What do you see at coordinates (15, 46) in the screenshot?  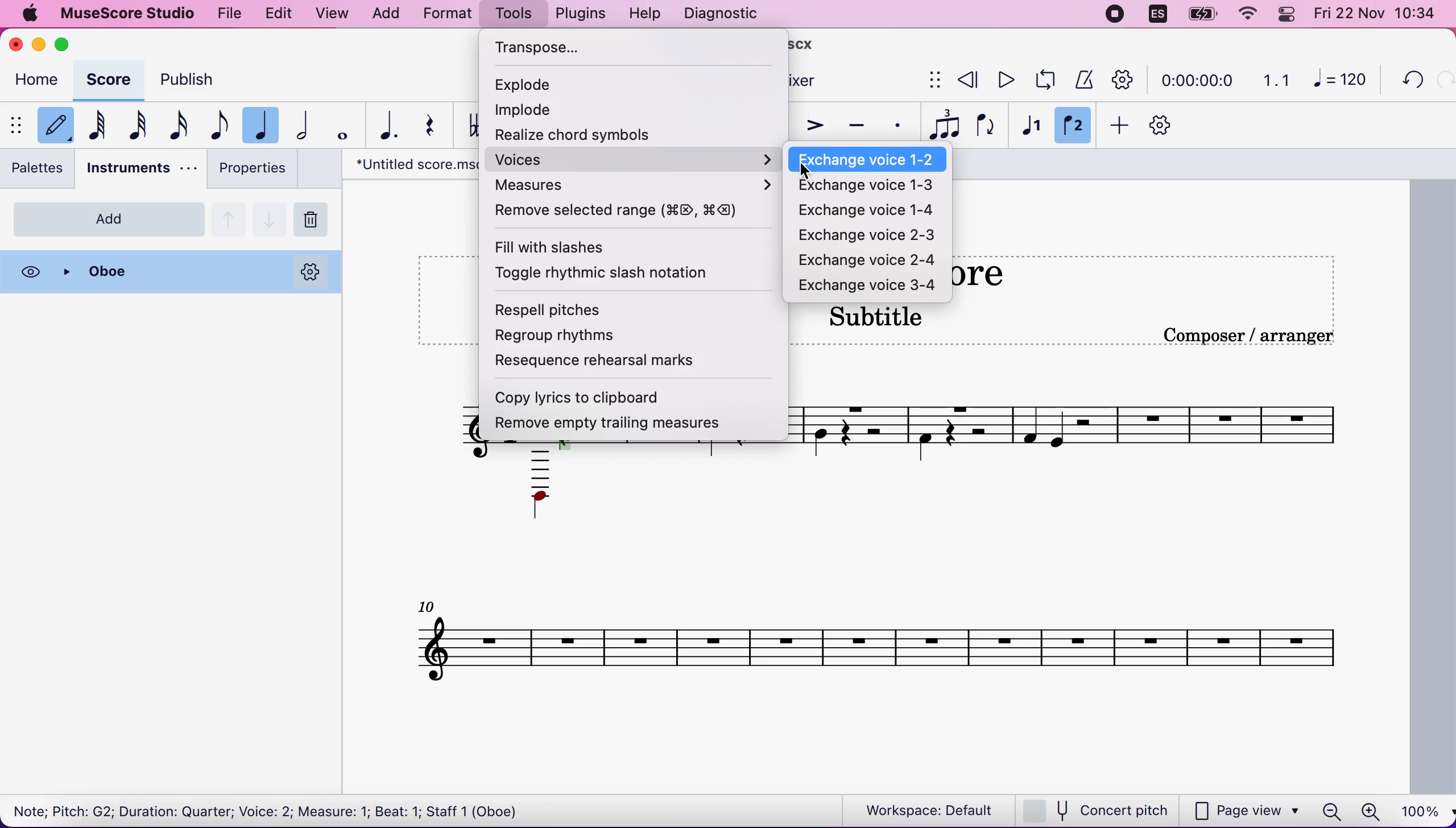 I see `close` at bounding box center [15, 46].